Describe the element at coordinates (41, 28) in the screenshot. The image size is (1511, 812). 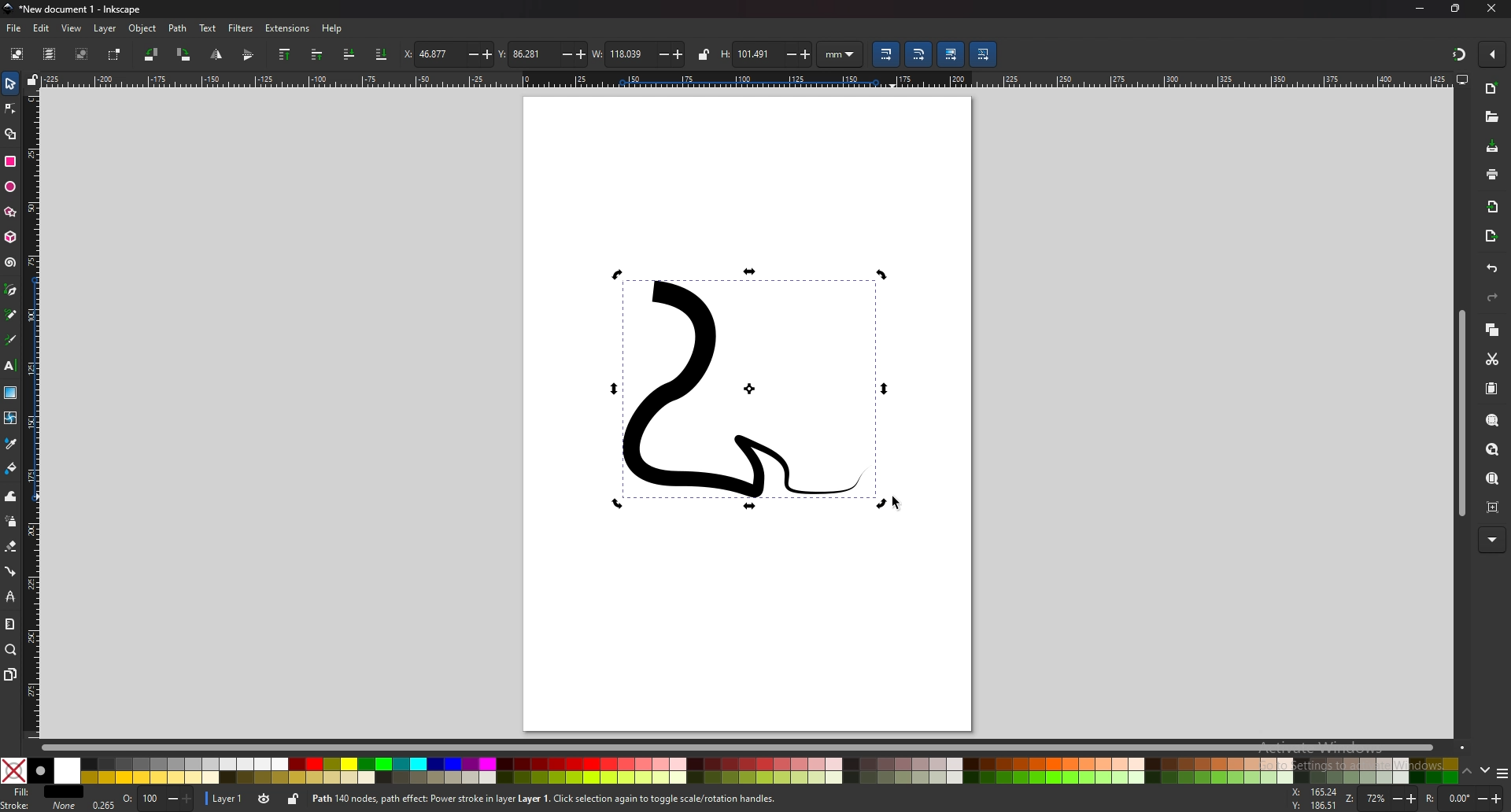
I see `edit` at that location.